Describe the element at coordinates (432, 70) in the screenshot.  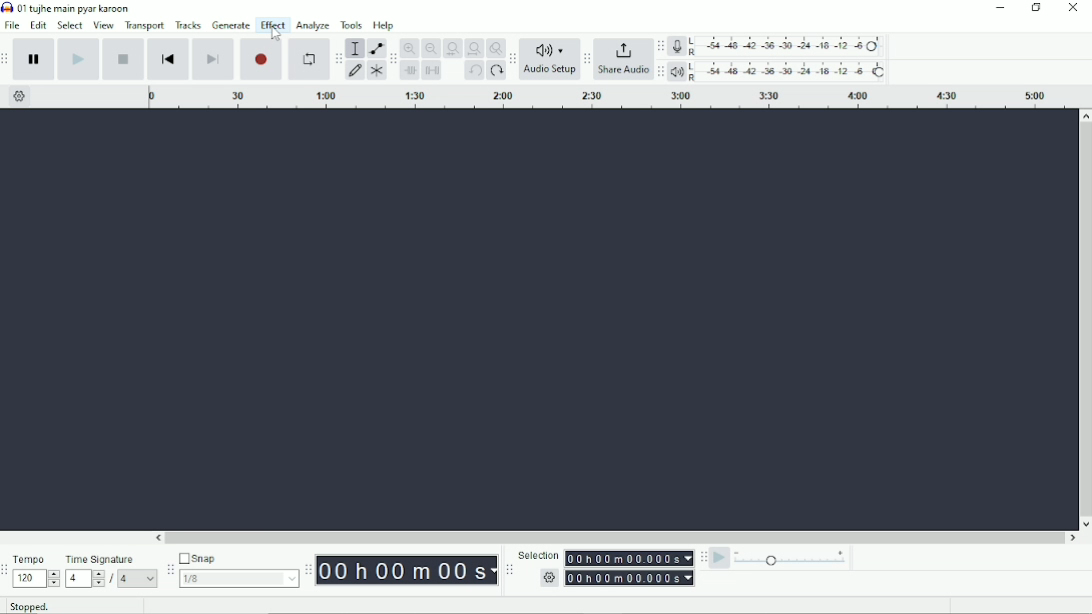
I see `Silence audio selection` at that location.